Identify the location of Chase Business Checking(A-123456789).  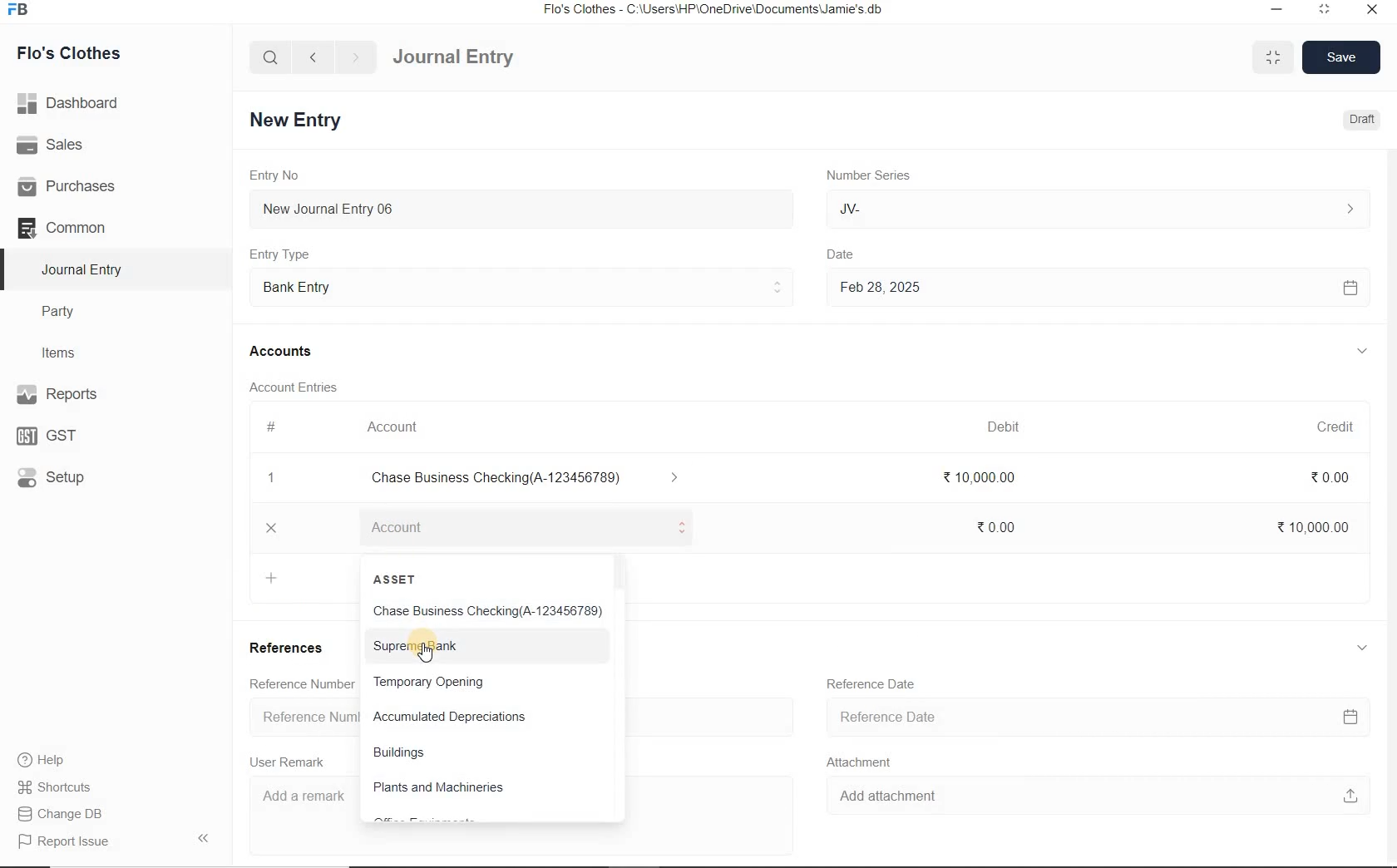
(534, 479).